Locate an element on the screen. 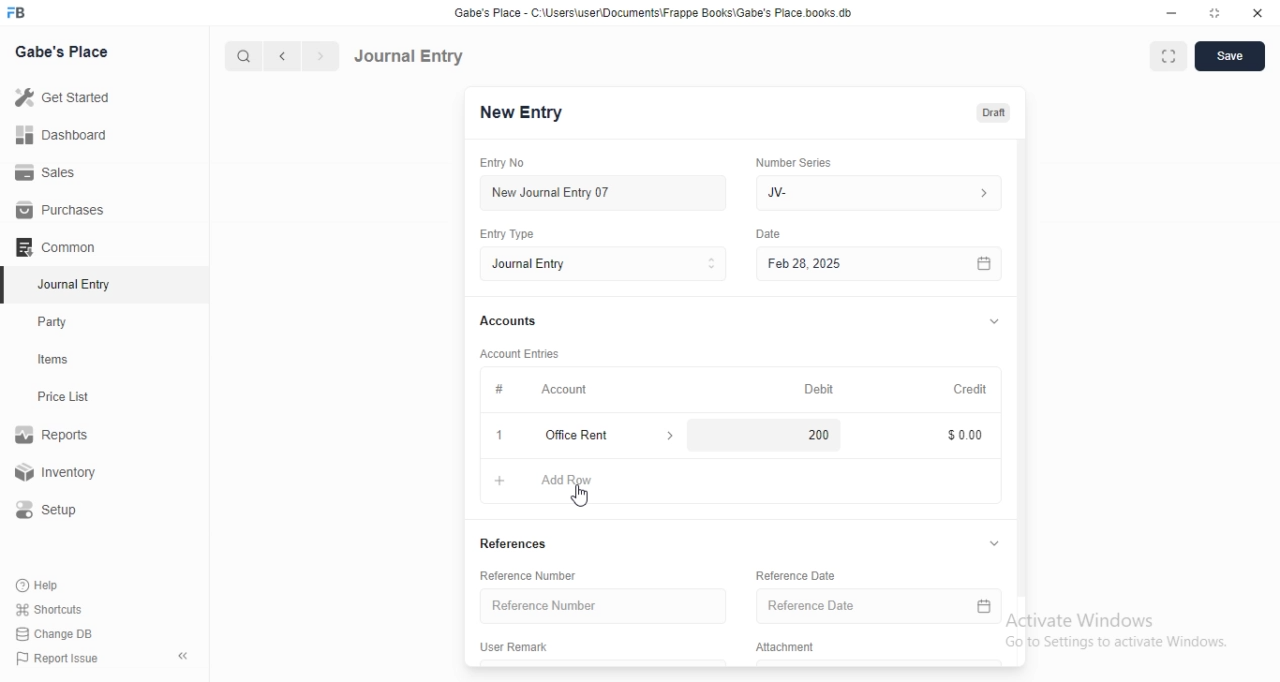 The height and width of the screenshot is (682, 1280). Price List is located at coordinates (62, 397).